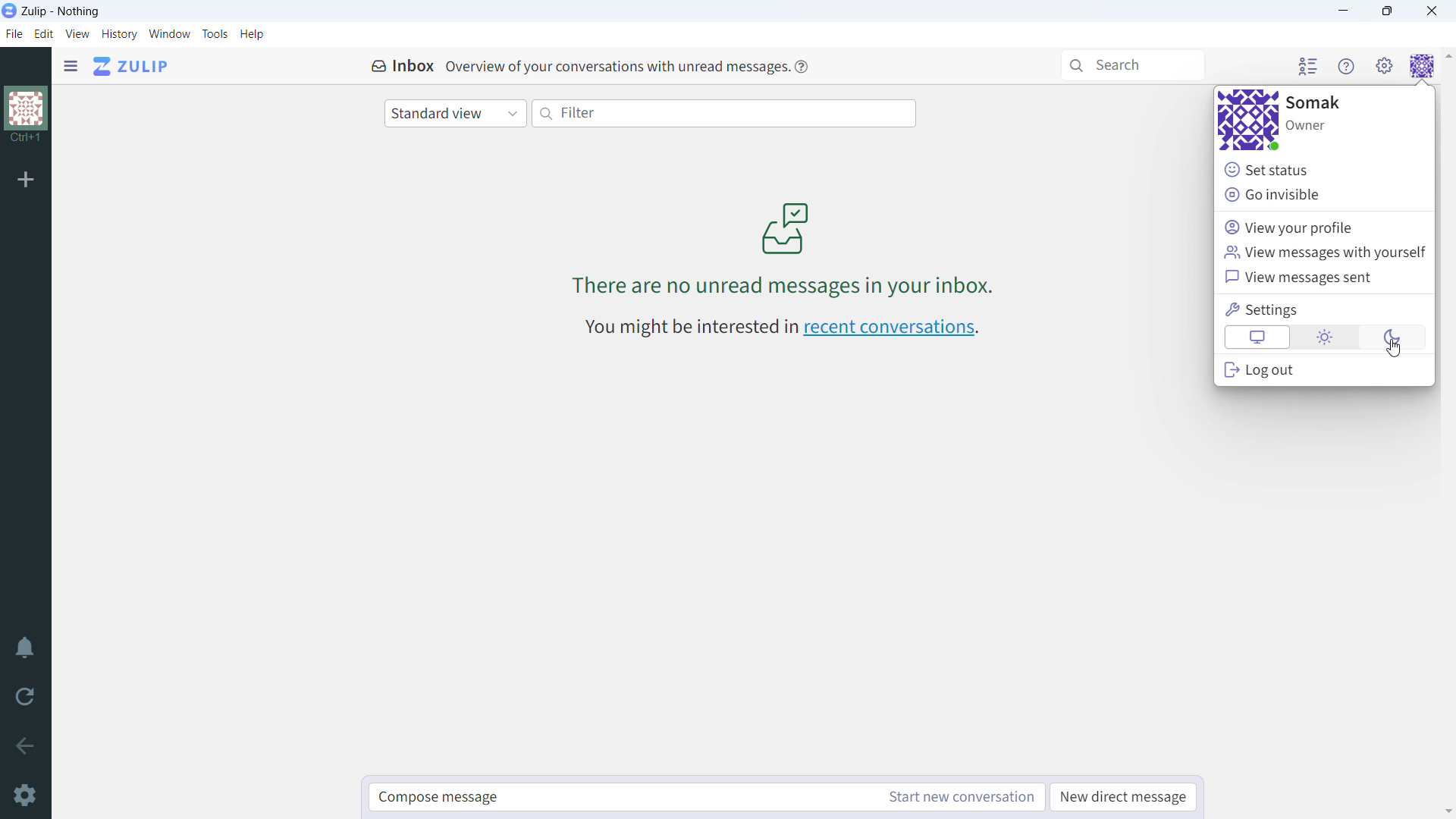 The height and width of the screenshot is (819, 1456). I want to click on maximize, so click(1390, 11).